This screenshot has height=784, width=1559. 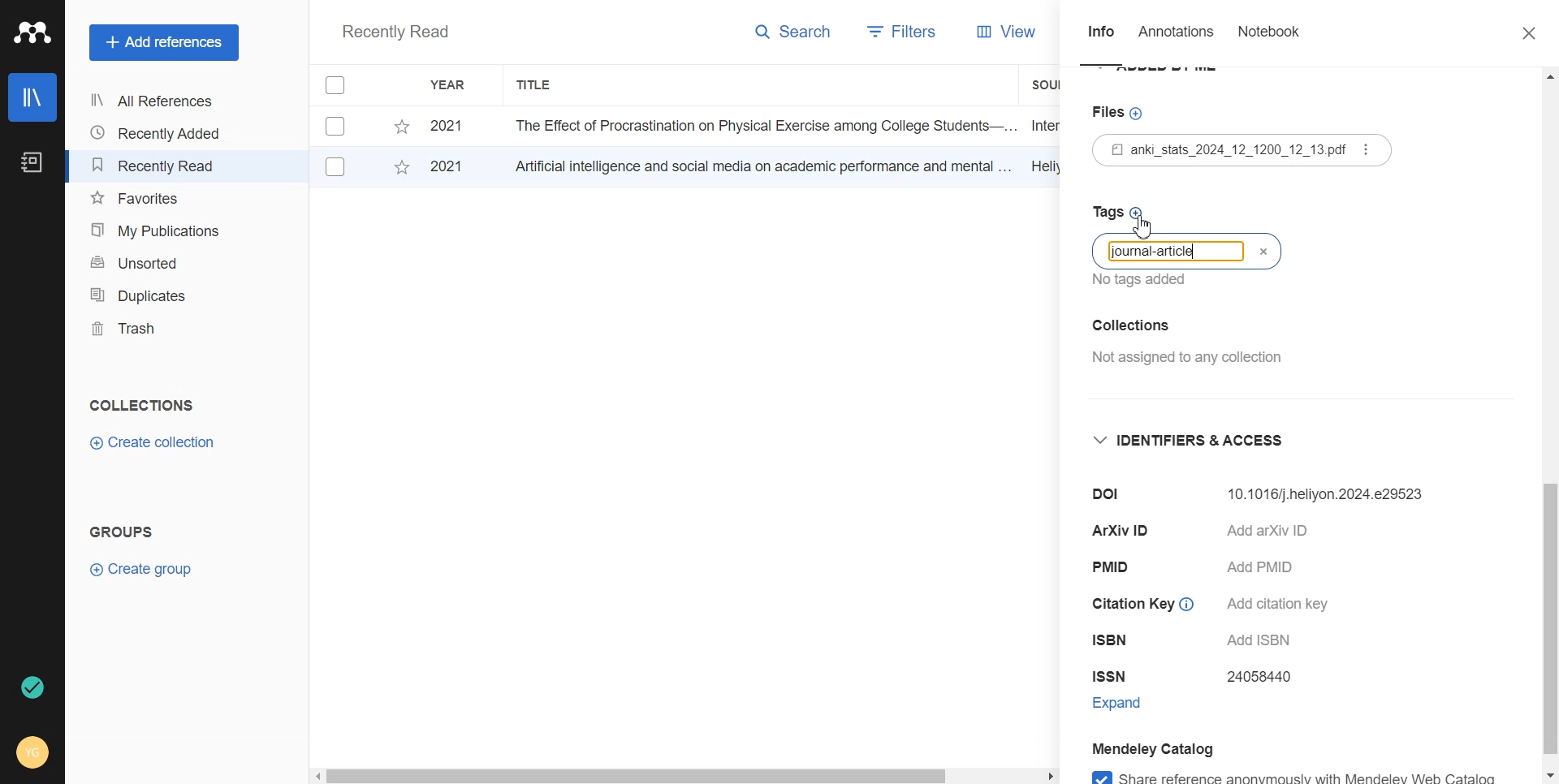 What do you see at coordinates (1203, 441) in the screenshot?
I see `Identifier and access` at bounding box center [1203, 441].